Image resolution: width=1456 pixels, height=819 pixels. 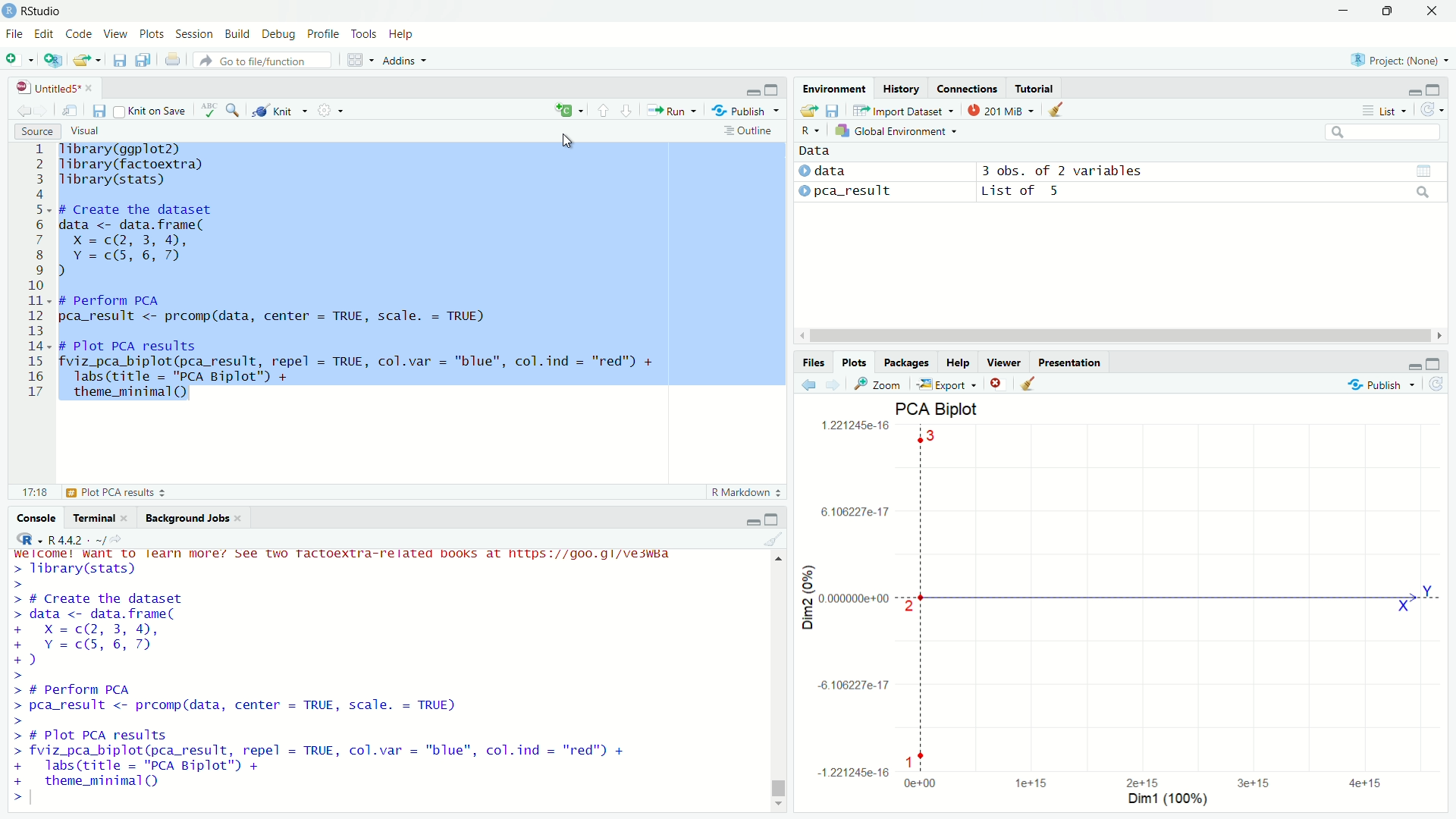 I want to click on Debug, so click(x=280, y=35).